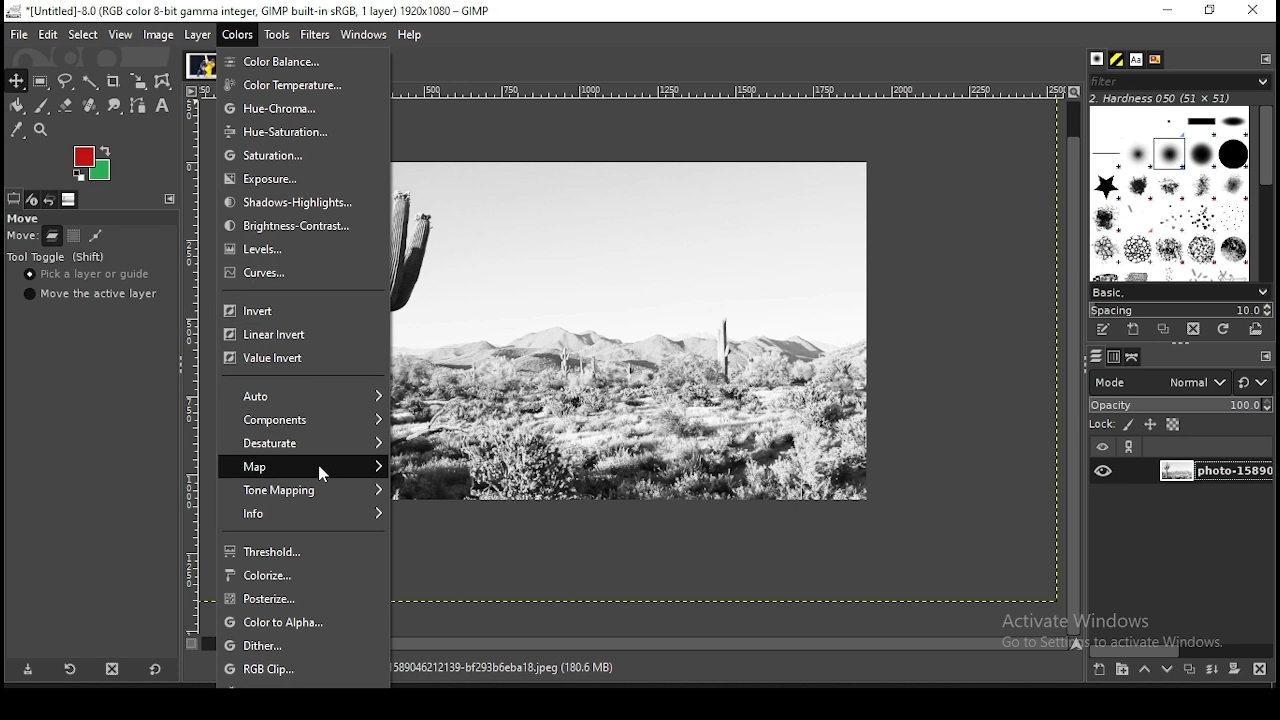 The image size is (1280, 720). I want to click on new layer, so click(1101, 671).